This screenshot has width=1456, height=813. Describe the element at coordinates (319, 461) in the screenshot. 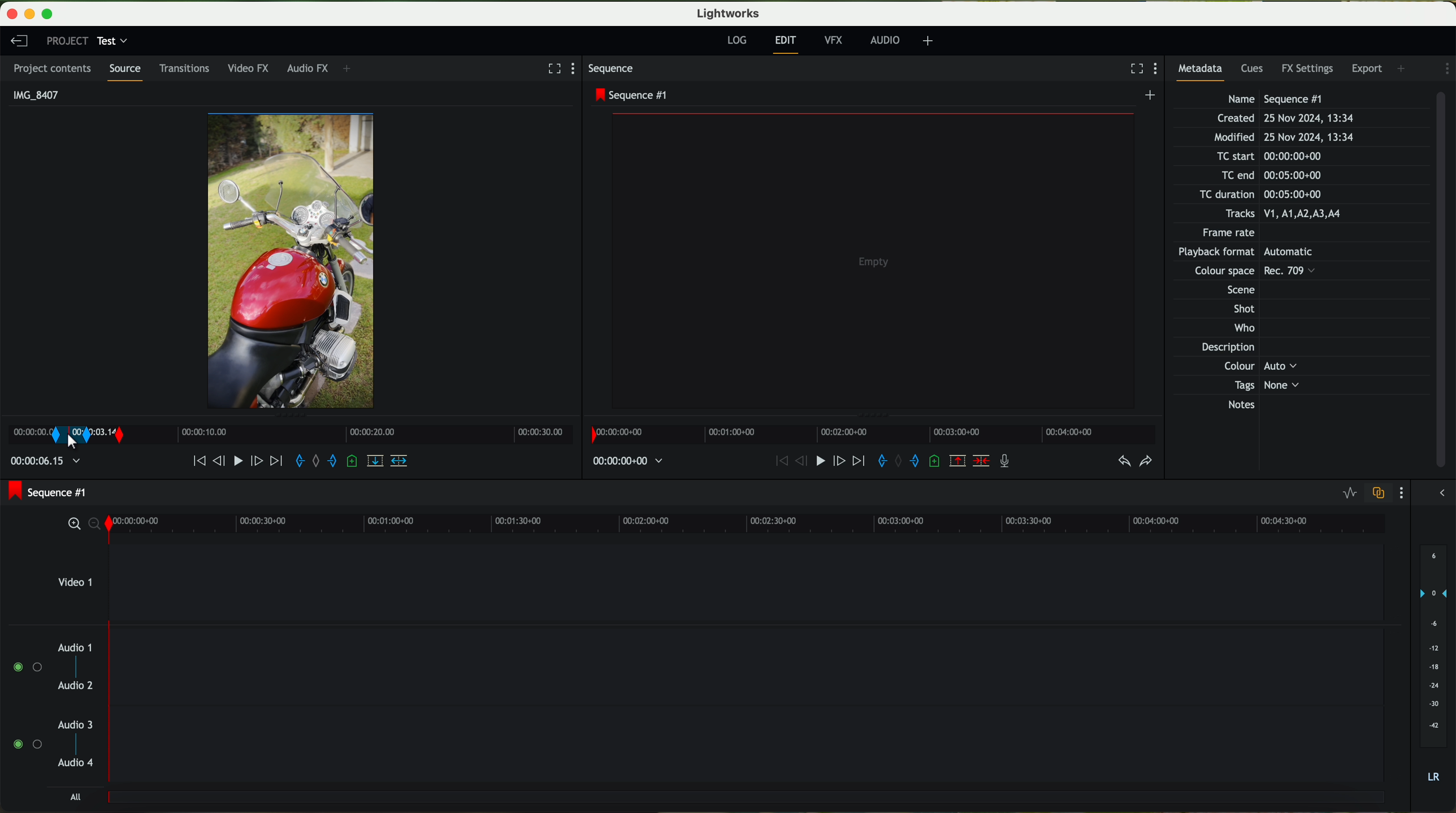

I see `clear marks` at that location.